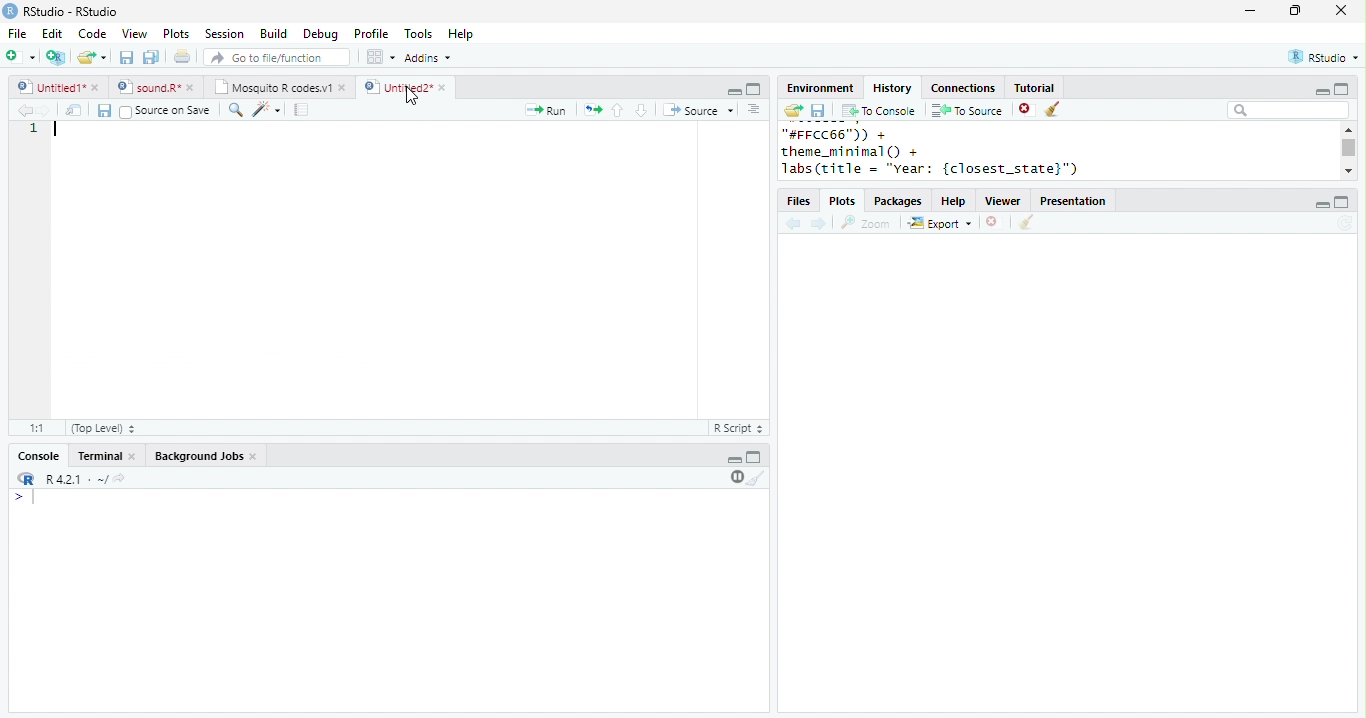 Image resolution: width=1366 pixels, height=718 pixels. I want to click on Packages, so click(898, 202).